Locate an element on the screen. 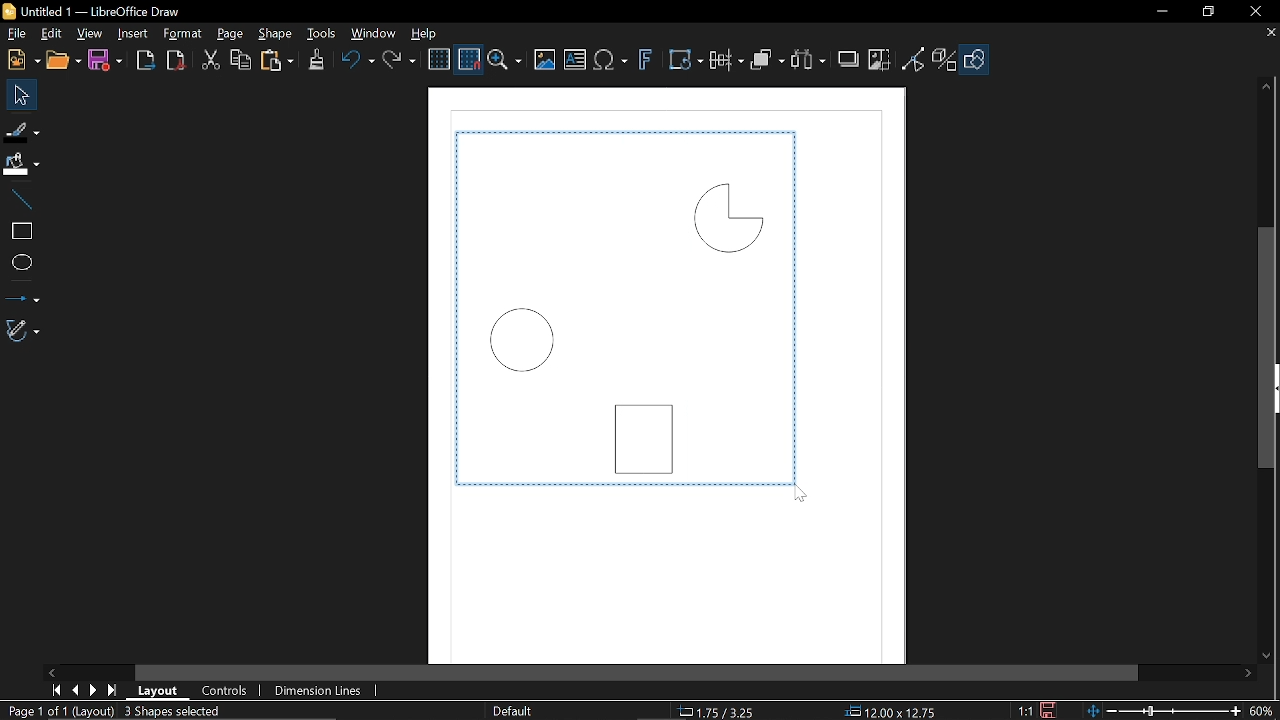 The width and height of the screenshot is (1280, 720). page is located at coordinates (234, 35).